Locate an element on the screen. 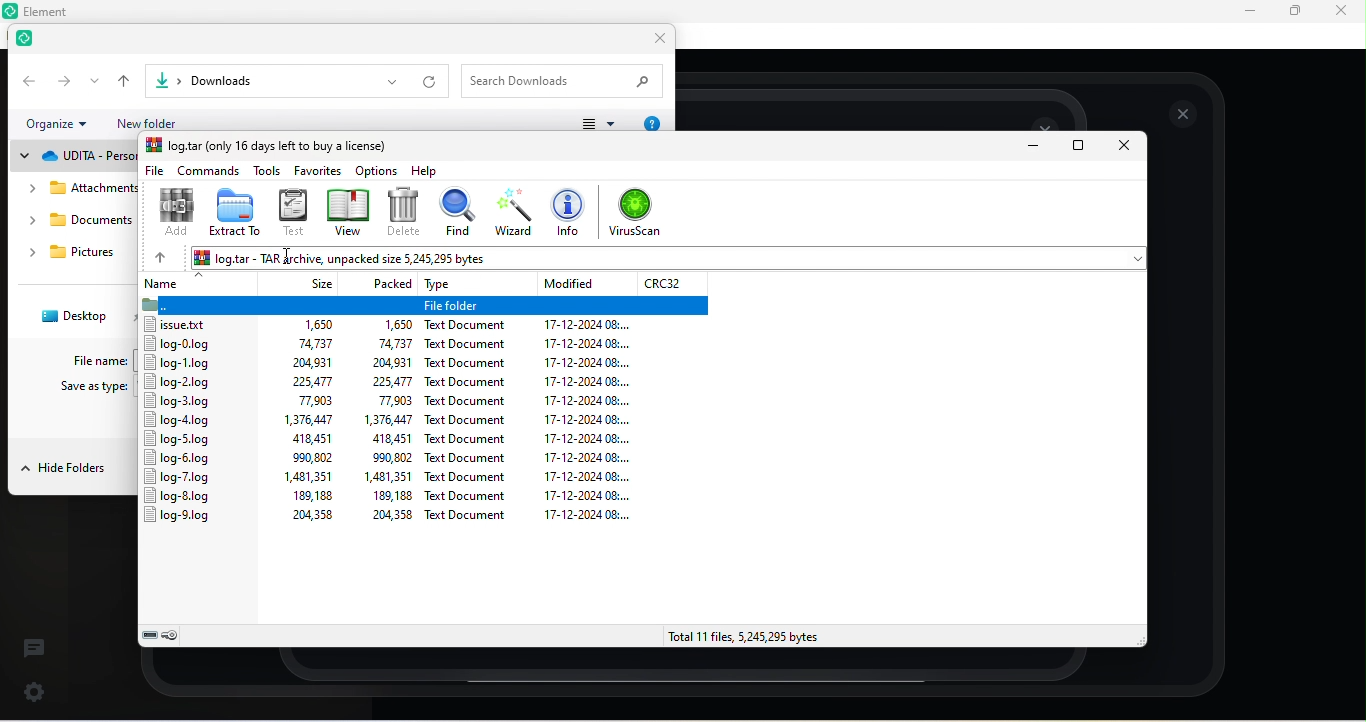 Image resolution: width=1366 pixels, height=722 pixels. 225,477 is located at coordinates (312, 381).